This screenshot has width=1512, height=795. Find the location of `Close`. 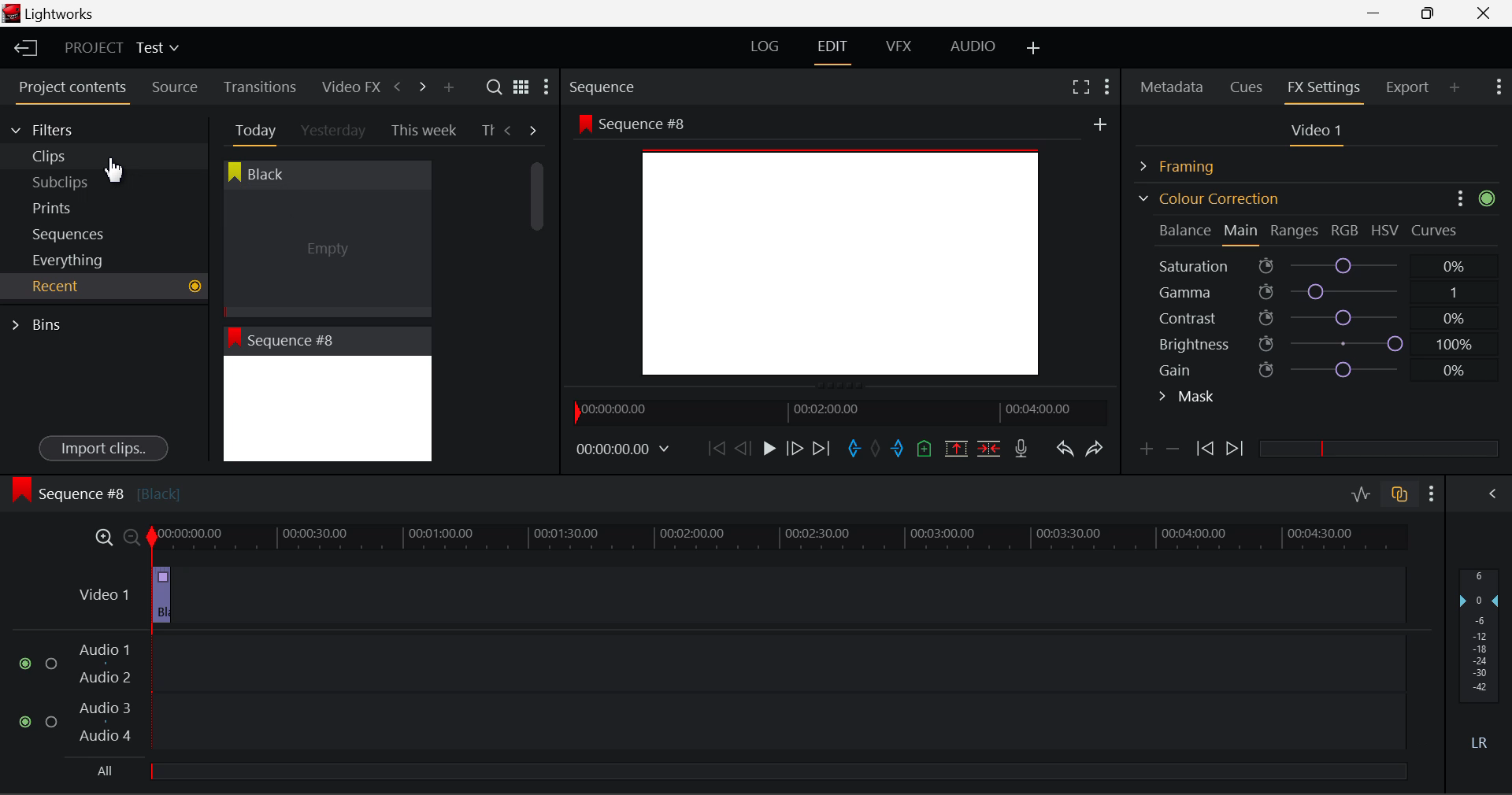

Close is located at coordinates (1487, 13).